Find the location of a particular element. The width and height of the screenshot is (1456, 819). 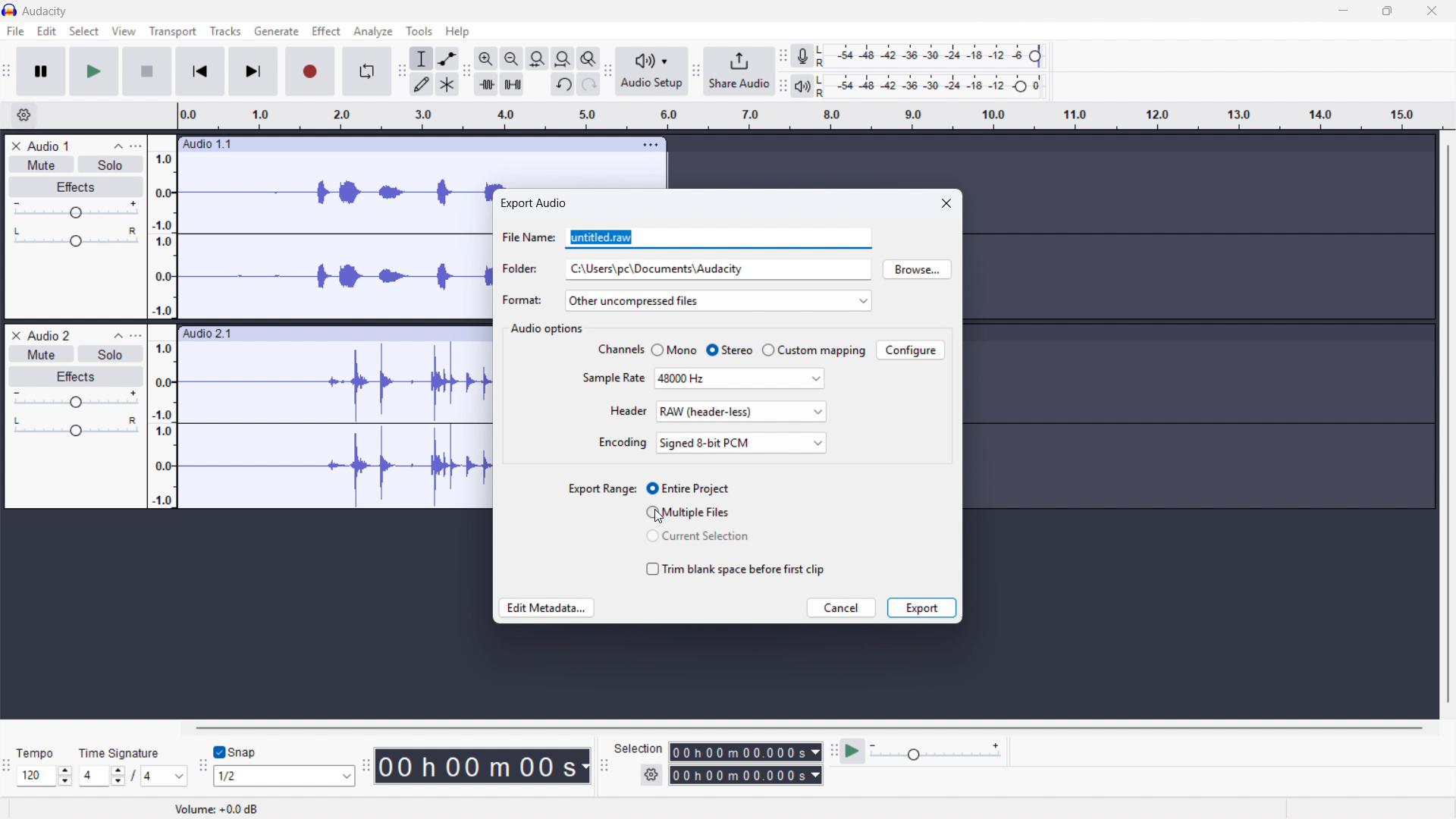

Pan: centre is located at coordinates (77, 428).